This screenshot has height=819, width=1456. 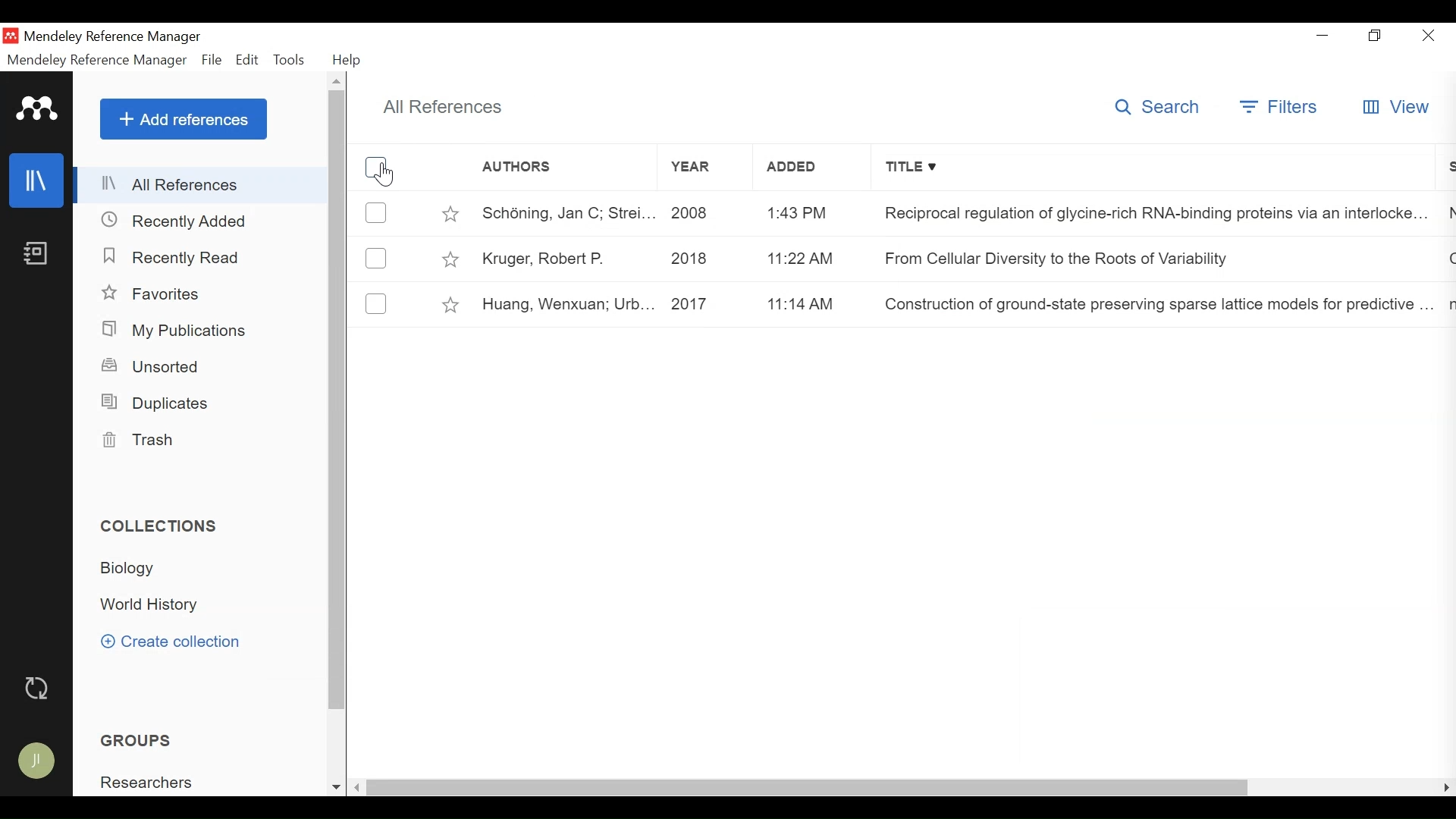 What do you see at coordinates (1394, 108) in the screenshot?
I see `View` at bounding box center [1394, 108].